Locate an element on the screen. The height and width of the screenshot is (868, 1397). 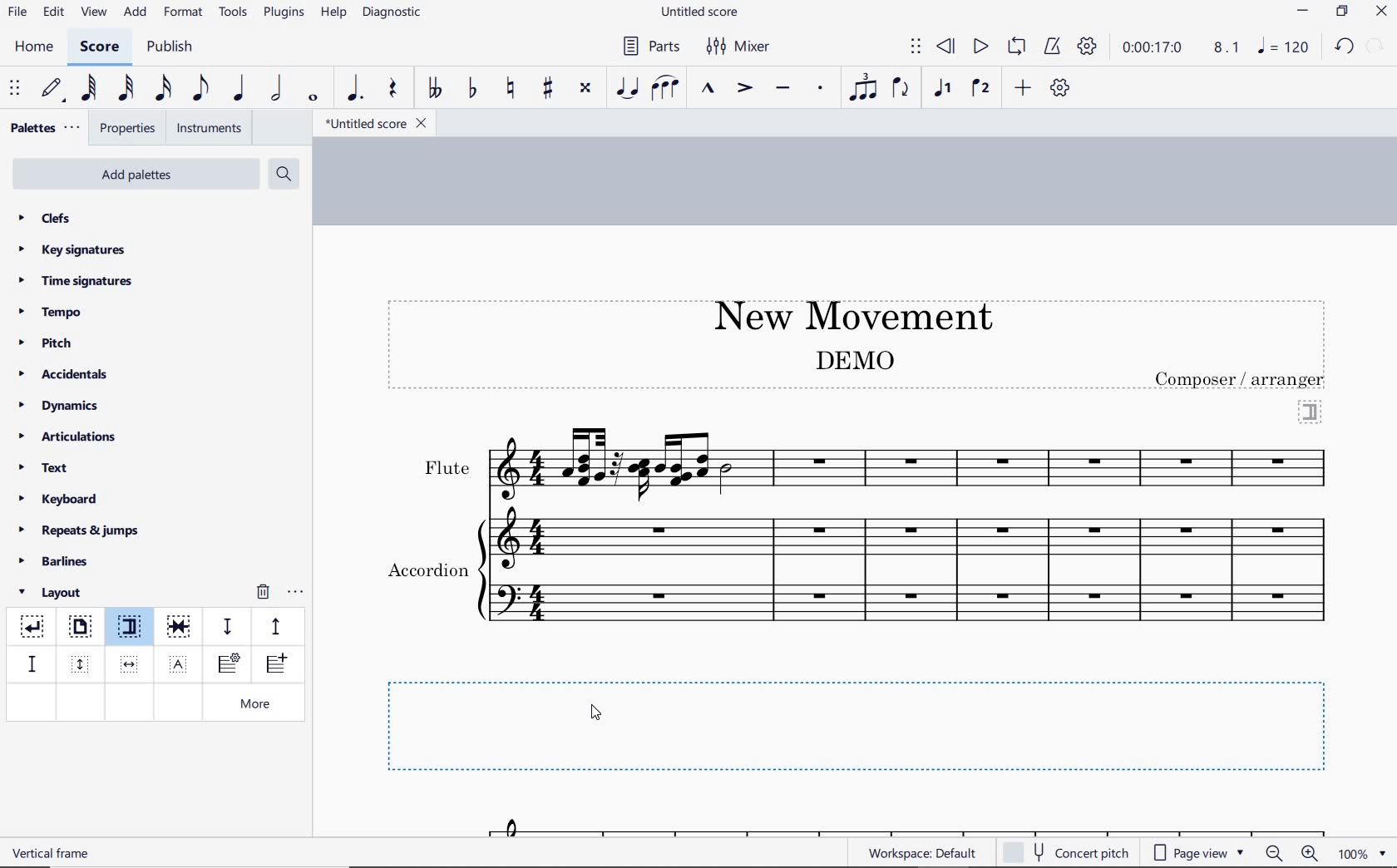
redo is located at coordinates (1377, 45).